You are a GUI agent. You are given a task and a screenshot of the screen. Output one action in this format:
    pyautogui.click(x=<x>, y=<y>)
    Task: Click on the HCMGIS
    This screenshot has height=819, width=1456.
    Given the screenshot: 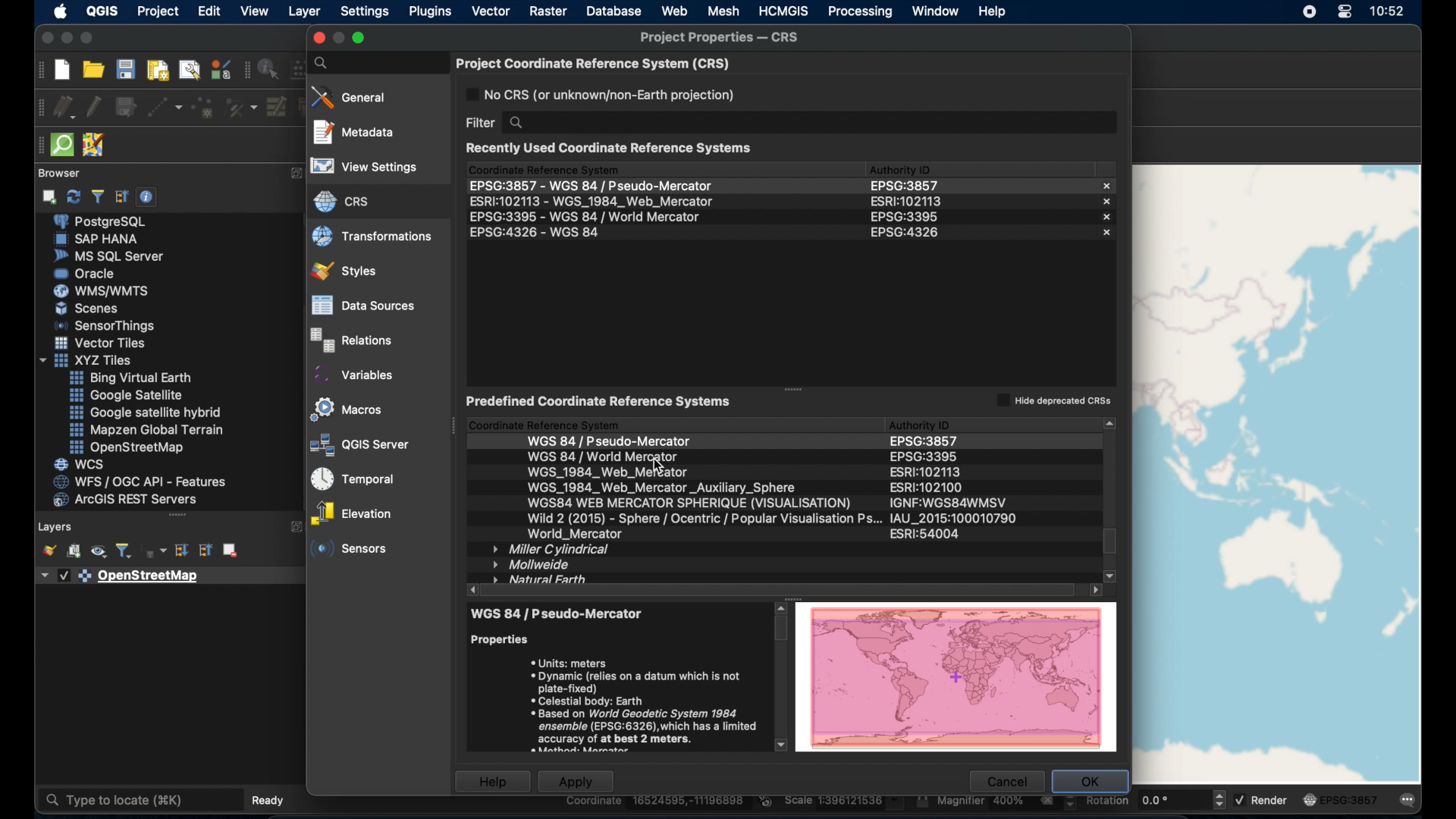 What is the action you would take?
    pyautogui.click(x=786, y=11)
    